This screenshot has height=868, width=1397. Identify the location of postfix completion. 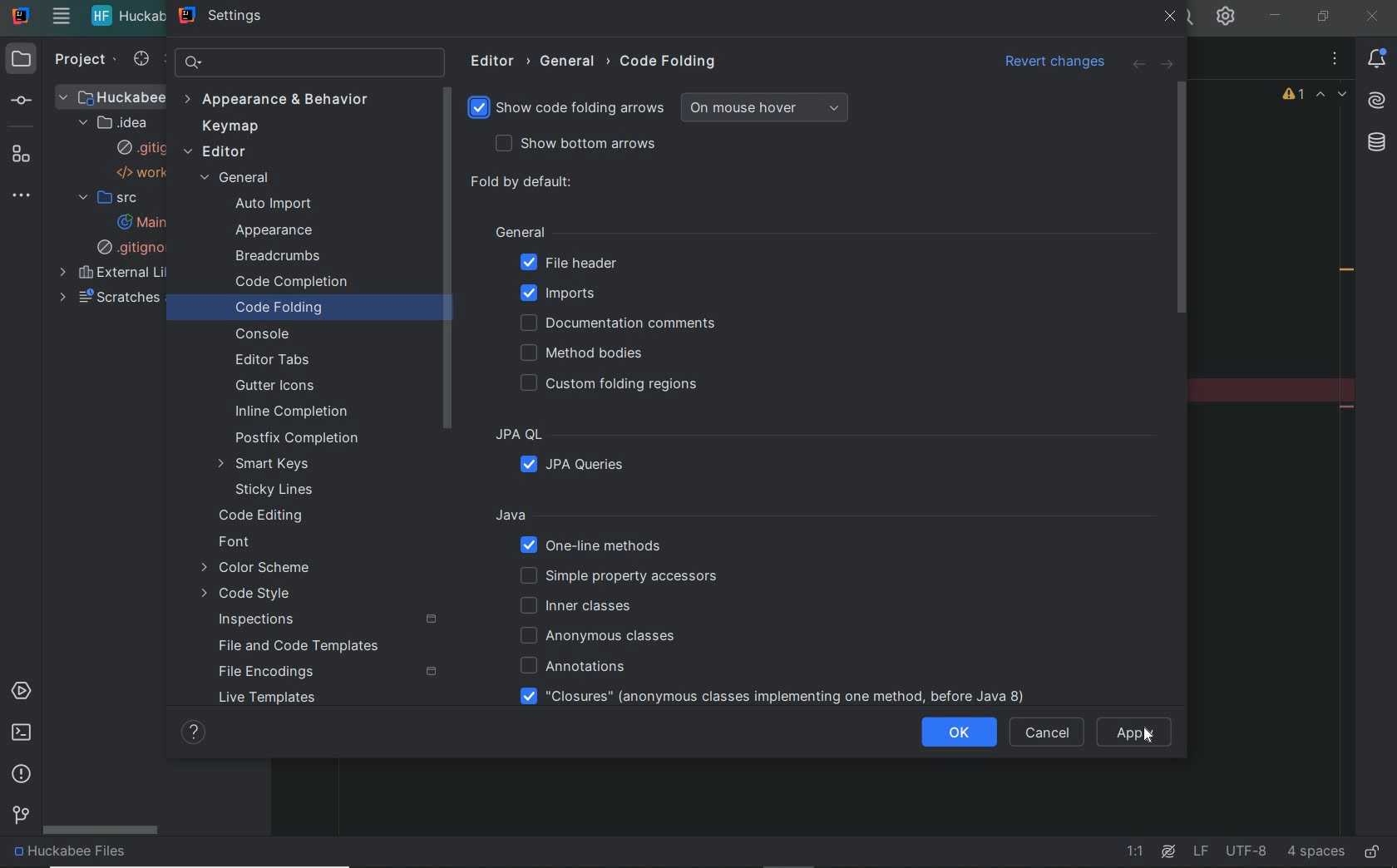
(295, 437).